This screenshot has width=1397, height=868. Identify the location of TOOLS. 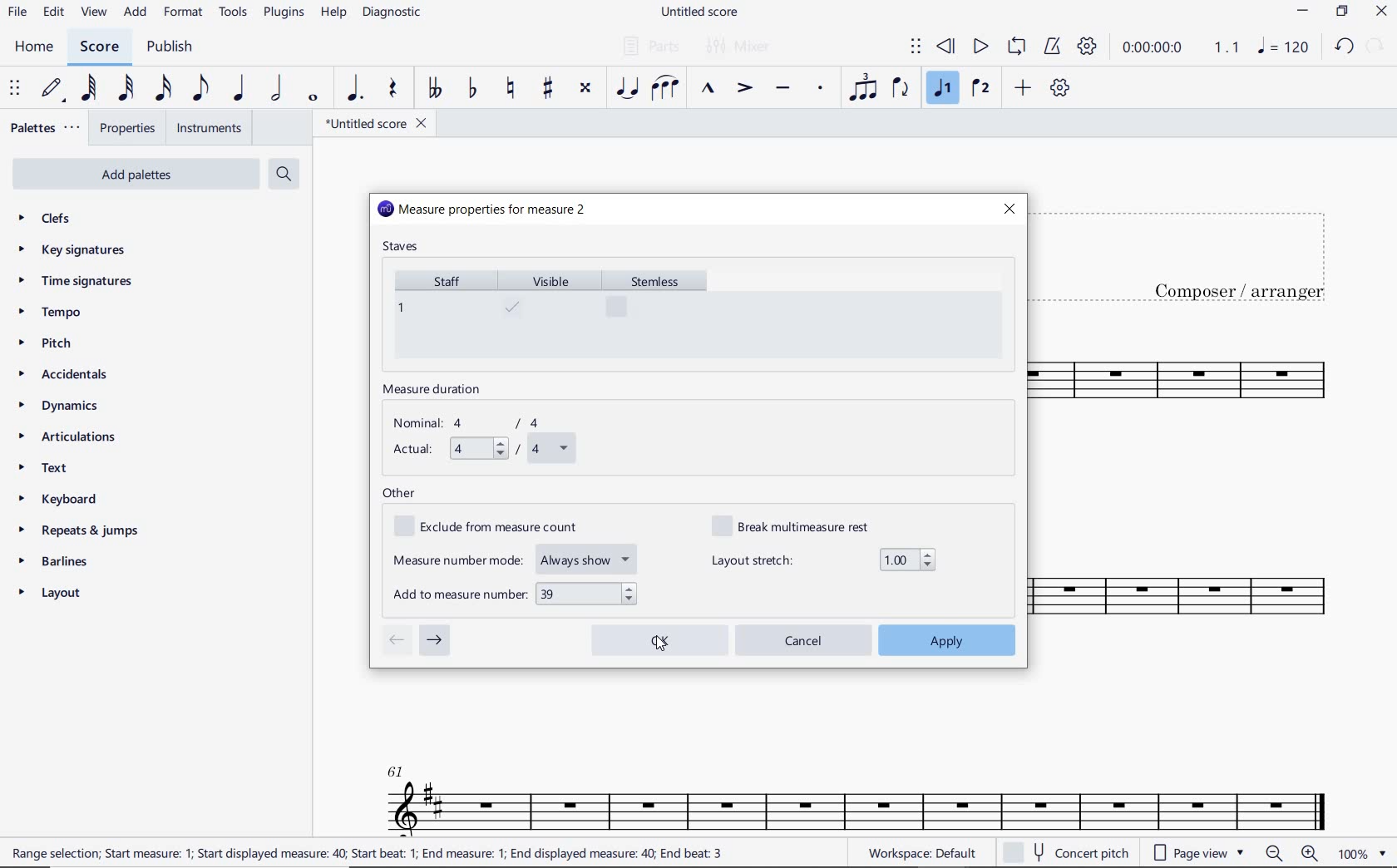
(234, 15).